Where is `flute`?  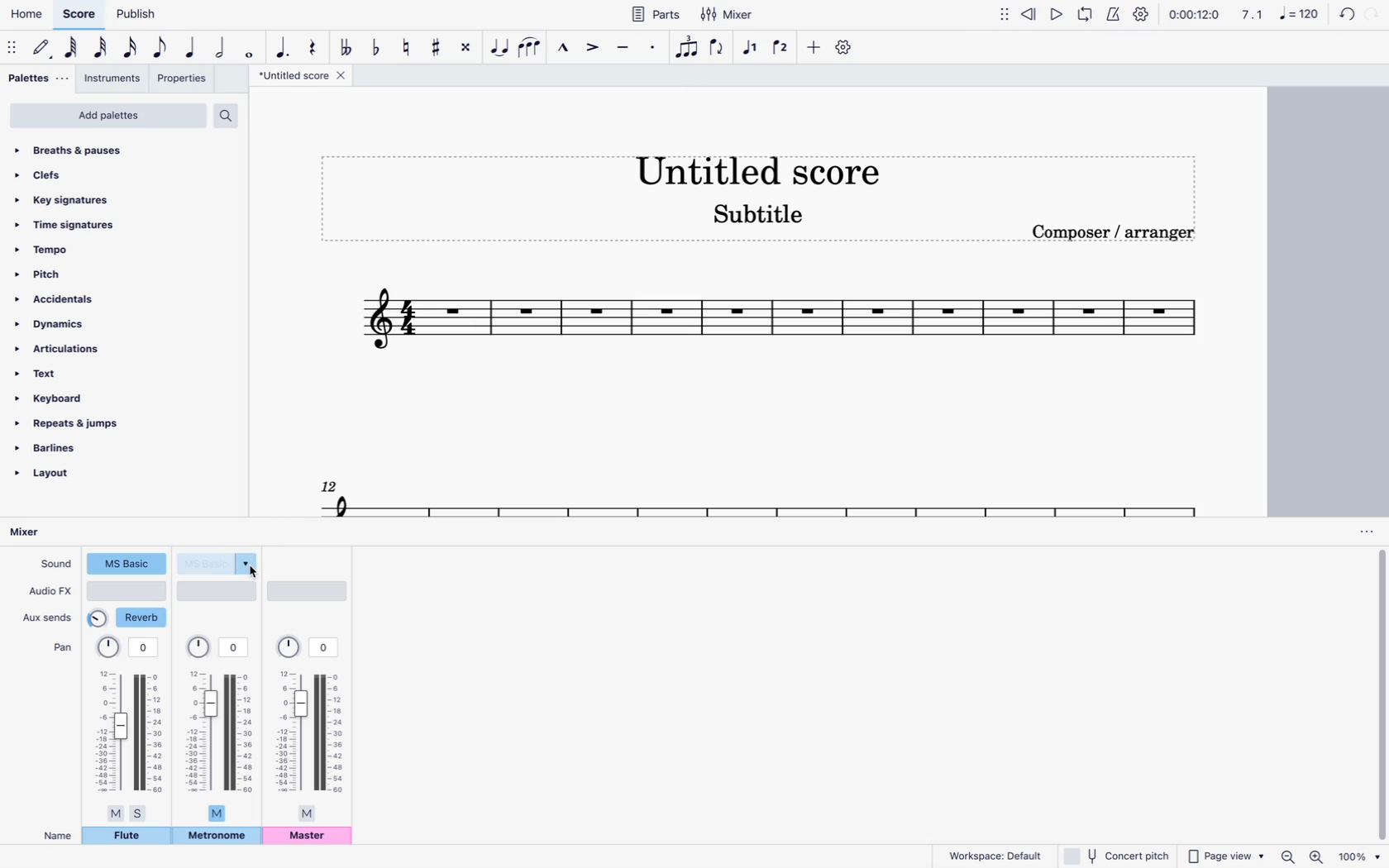 flute is located at coordinates (127, 838).